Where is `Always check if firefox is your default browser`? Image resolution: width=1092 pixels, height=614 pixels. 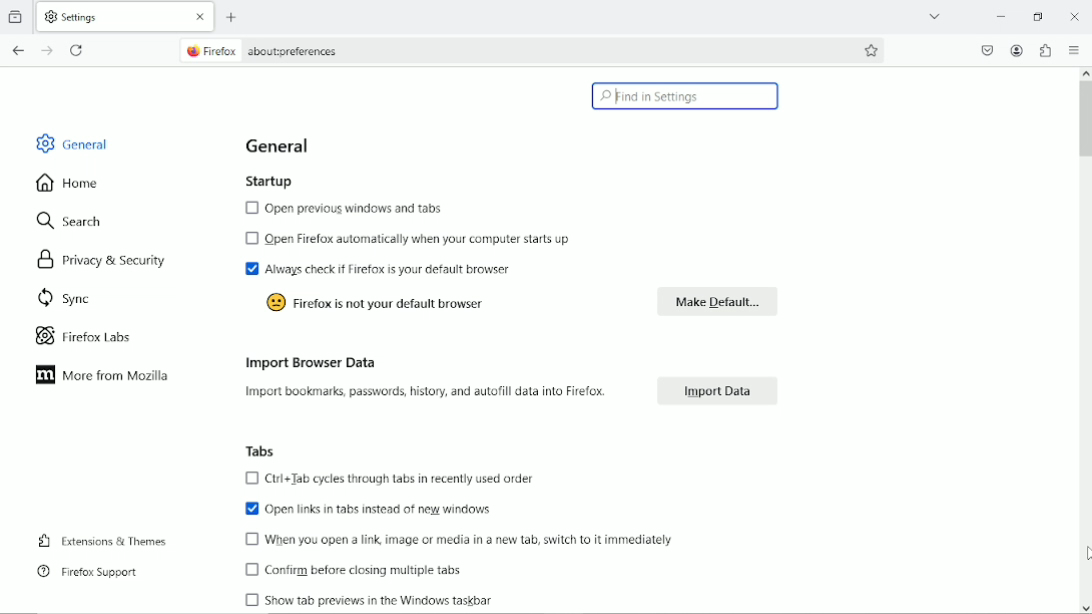 Always check if firefox is your default browser is located at coordinates (389, 271).